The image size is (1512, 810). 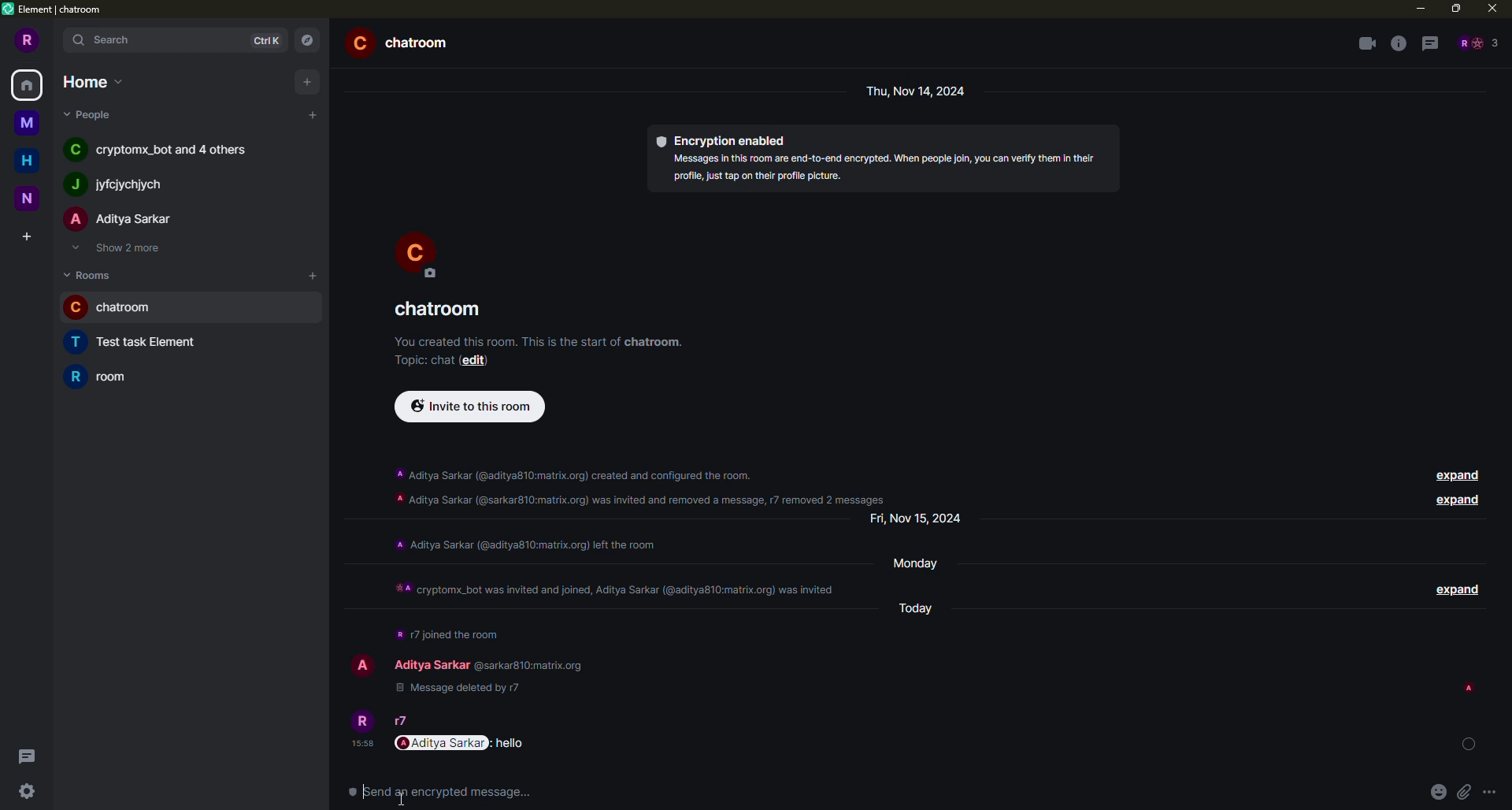 I want to click on info, so click(x=528, y=544).